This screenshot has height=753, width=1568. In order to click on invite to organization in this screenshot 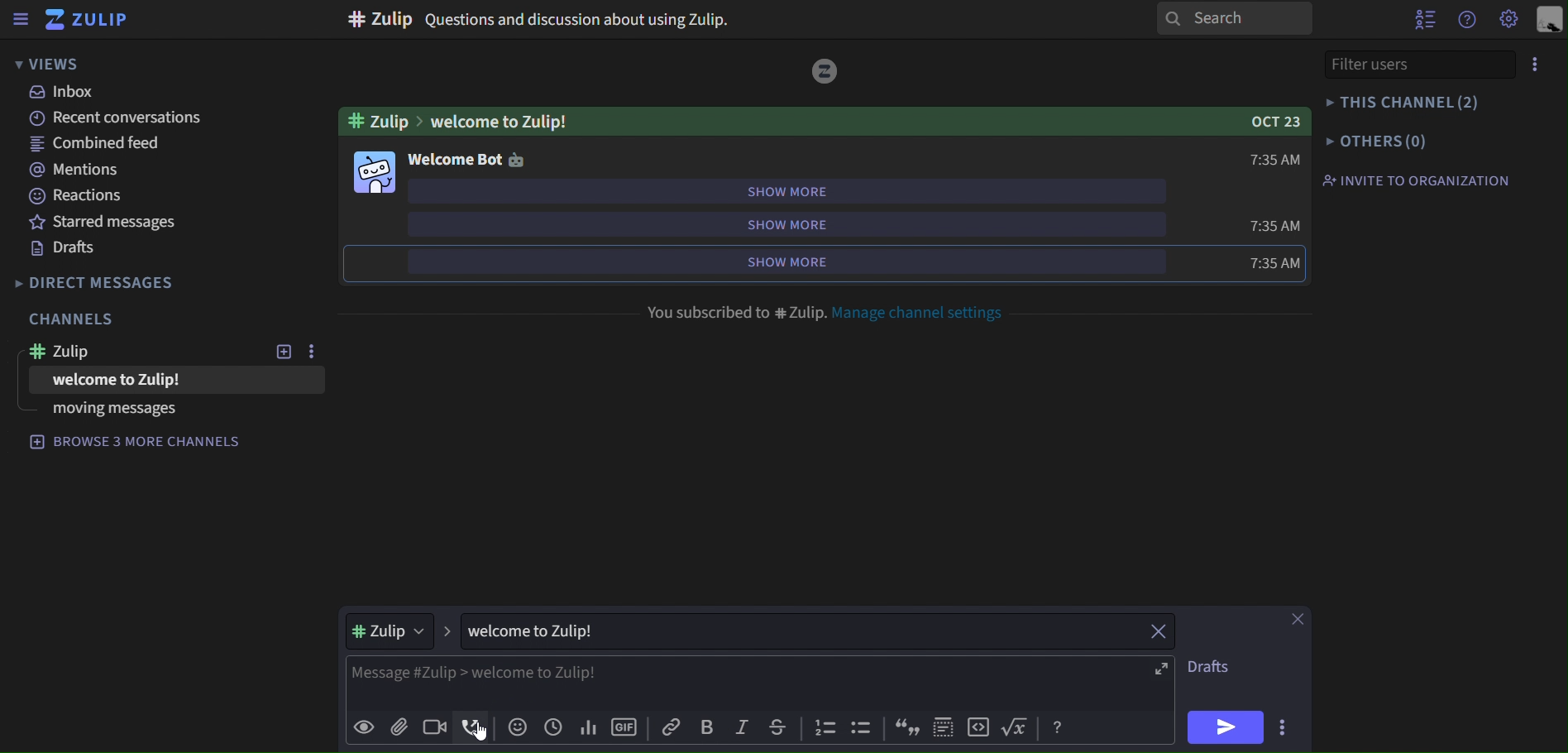, I will do `click(1420, 180)`.